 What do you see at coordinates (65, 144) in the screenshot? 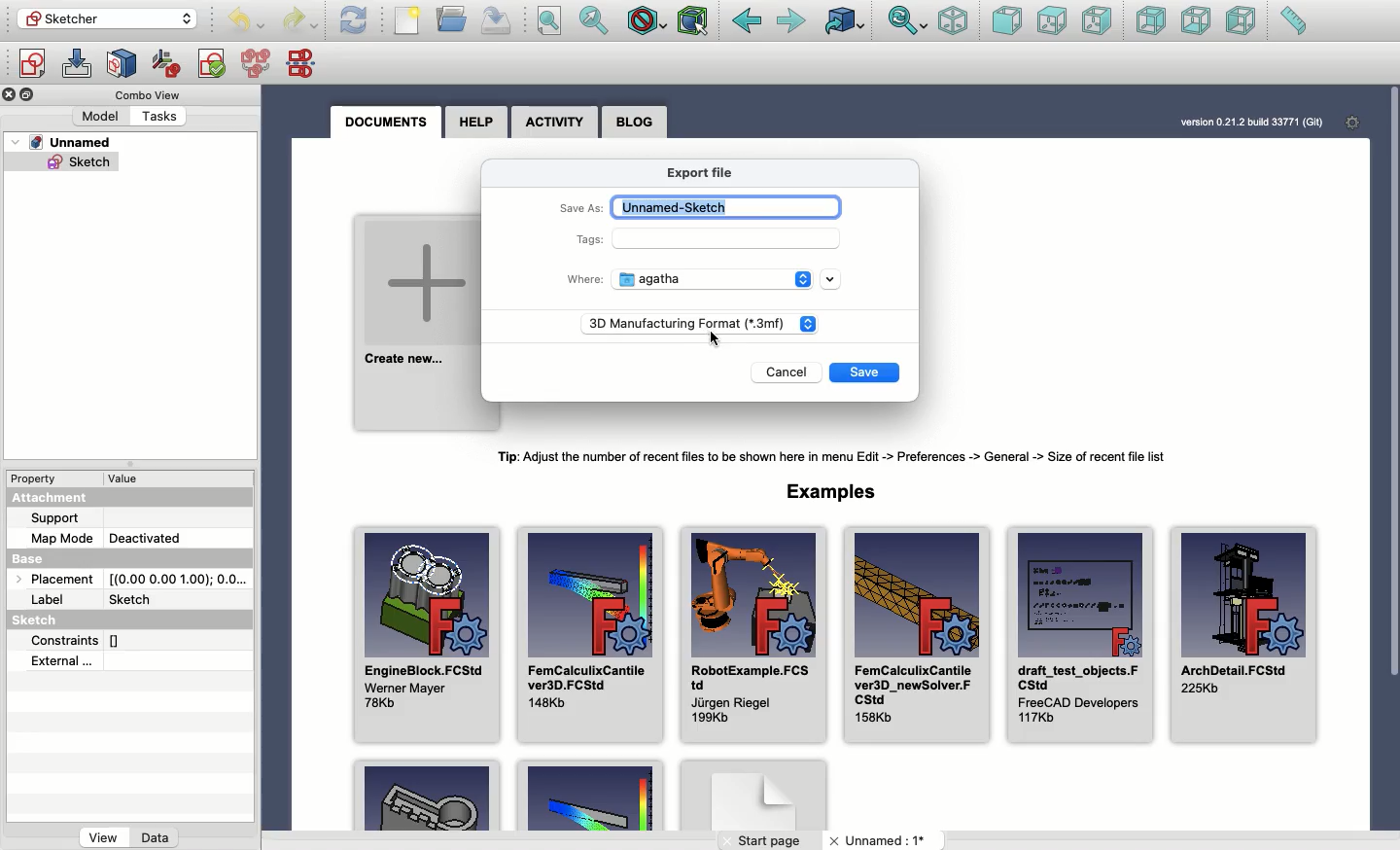
I see `Unnamed` at bounding box center [65, 144].